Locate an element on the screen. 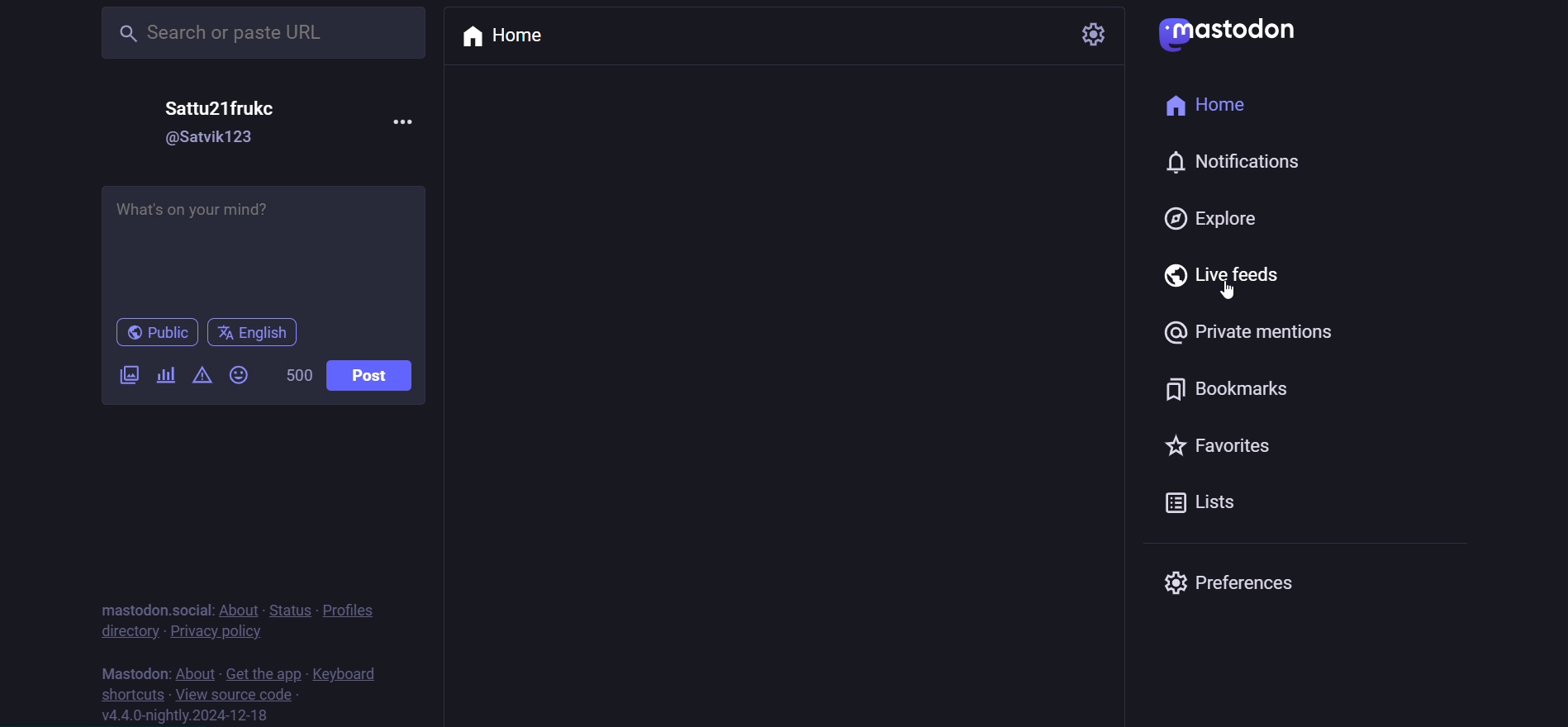 This screenshot has width=1568, height=727. image/video is located at coordinates (126, 375).